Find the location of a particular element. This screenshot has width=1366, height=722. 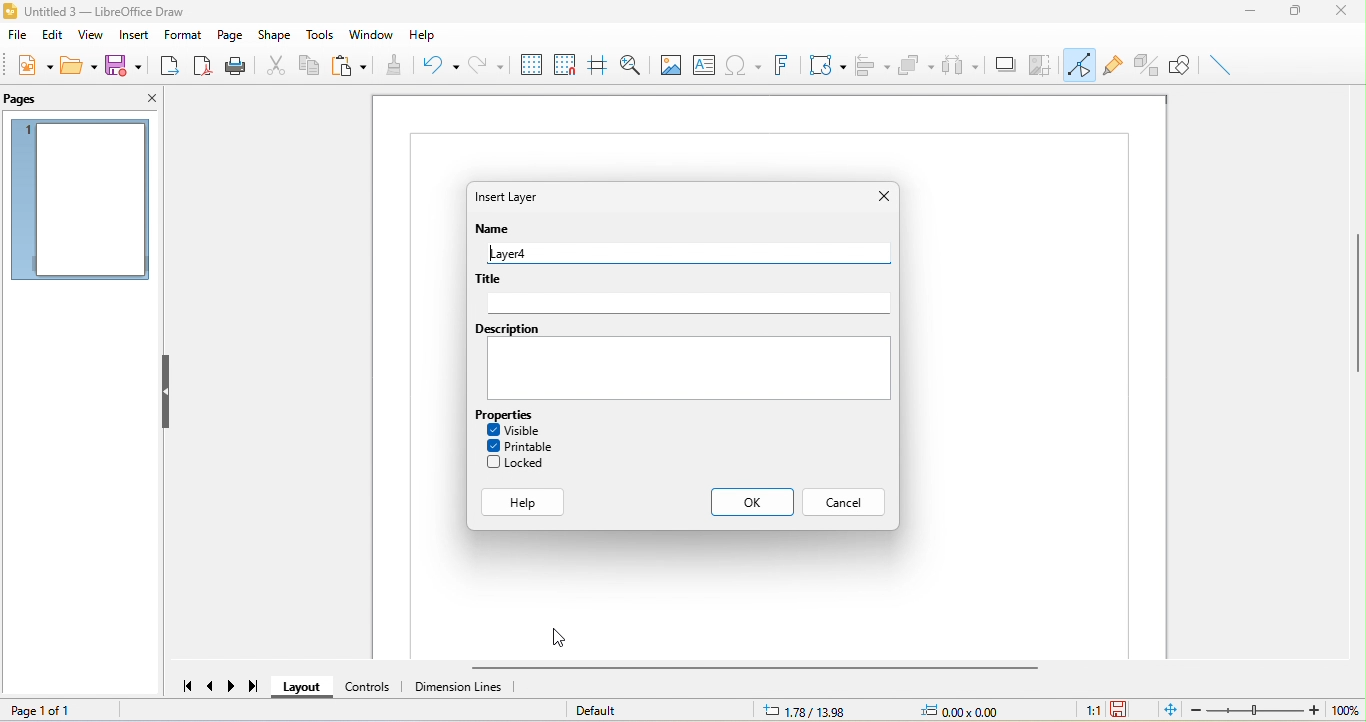

last page is located at coordinates (257, 689).